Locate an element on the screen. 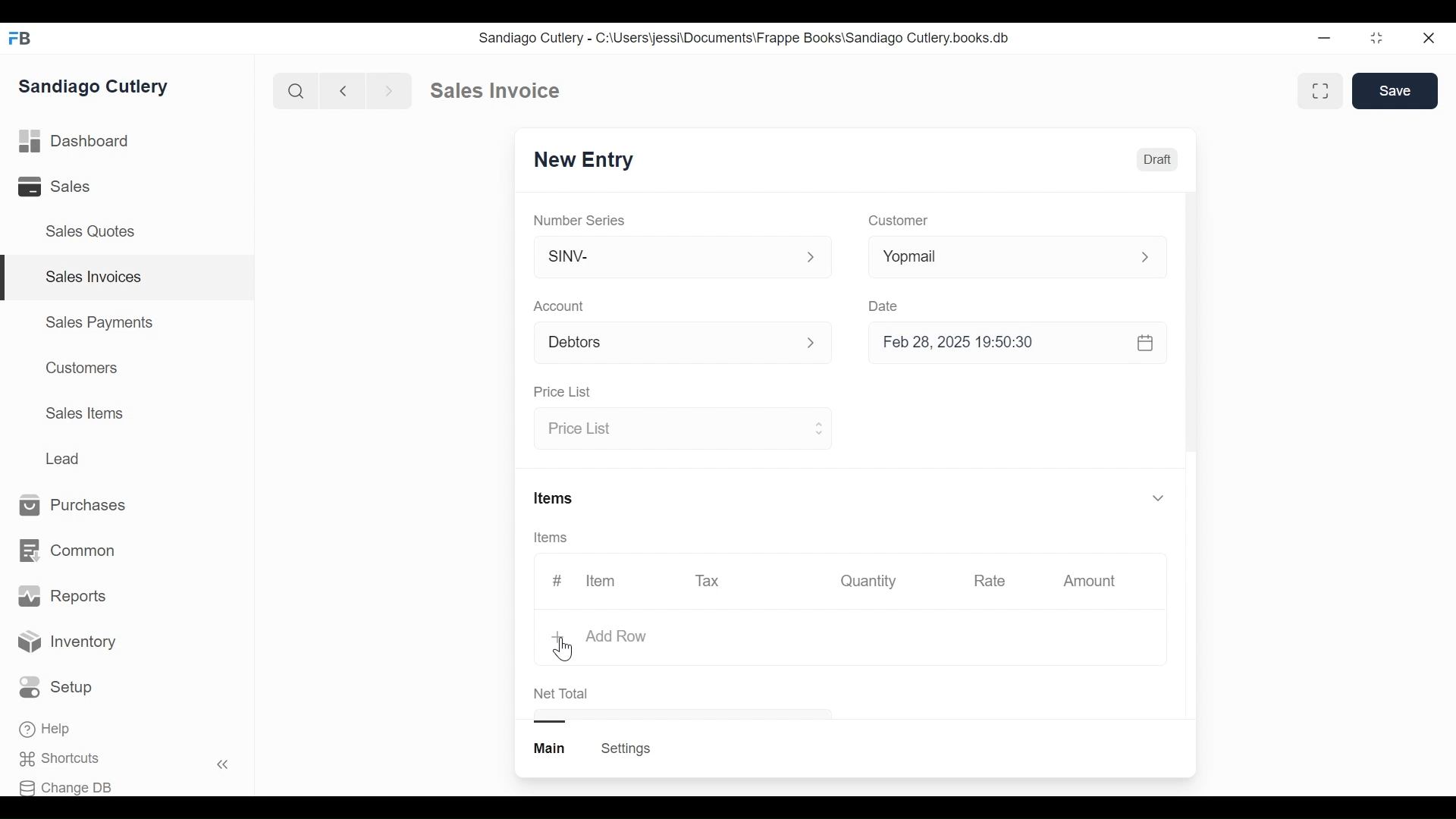 This screenshot has width=1456, height=819. Sales Quotes is located at coordinates (96, 232).